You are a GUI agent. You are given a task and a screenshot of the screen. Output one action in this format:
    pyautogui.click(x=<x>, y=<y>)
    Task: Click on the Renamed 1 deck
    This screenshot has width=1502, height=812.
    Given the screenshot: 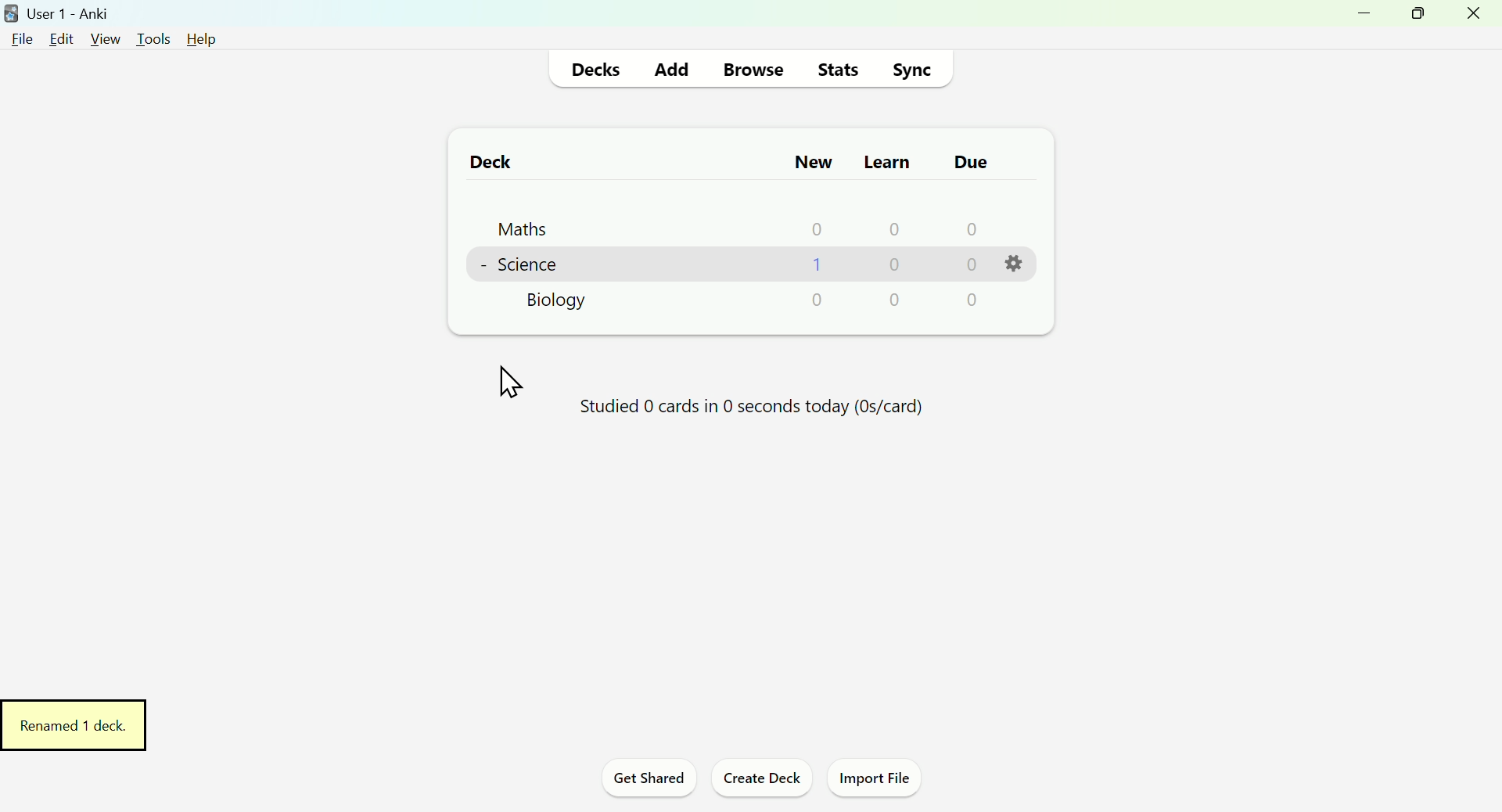 What is the action you would take?
    pyautogui.click(x=77, y=724)
    